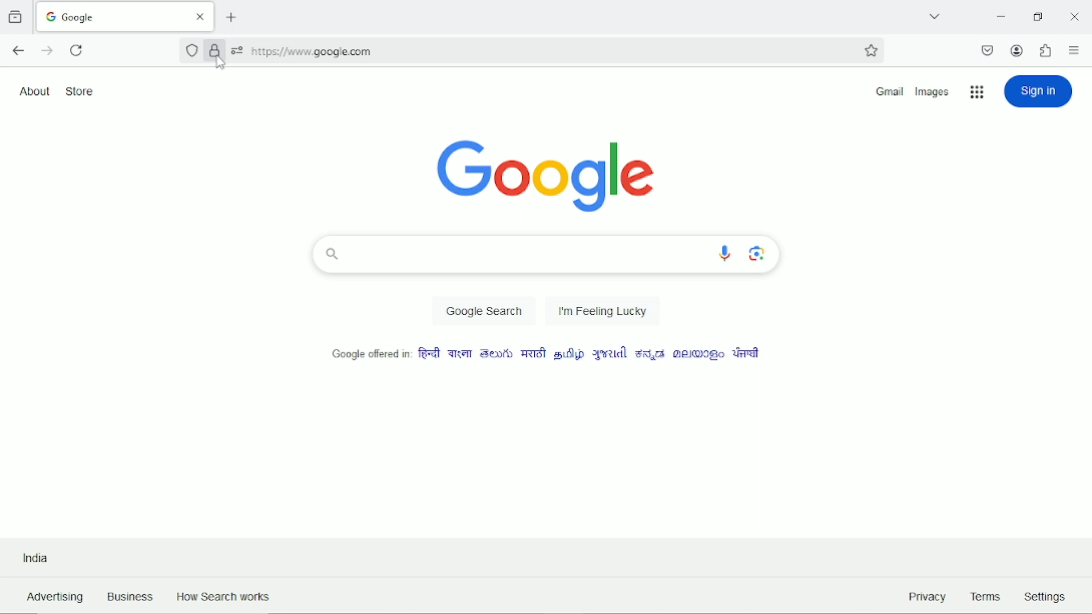 The image size is (1092, 614). I want to click on Sign in, so click(1041, 90).